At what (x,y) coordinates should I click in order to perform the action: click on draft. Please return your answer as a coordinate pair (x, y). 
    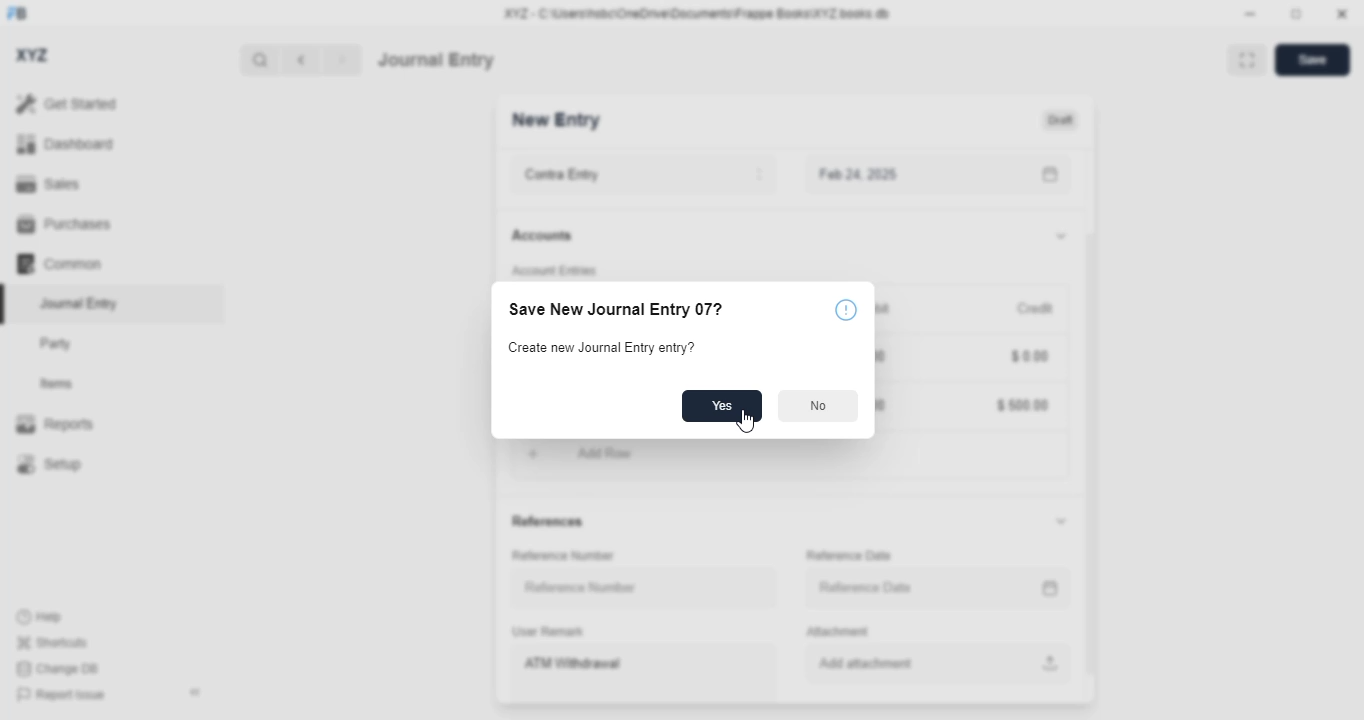
    Looking at the image, I should click on (1061, 119).